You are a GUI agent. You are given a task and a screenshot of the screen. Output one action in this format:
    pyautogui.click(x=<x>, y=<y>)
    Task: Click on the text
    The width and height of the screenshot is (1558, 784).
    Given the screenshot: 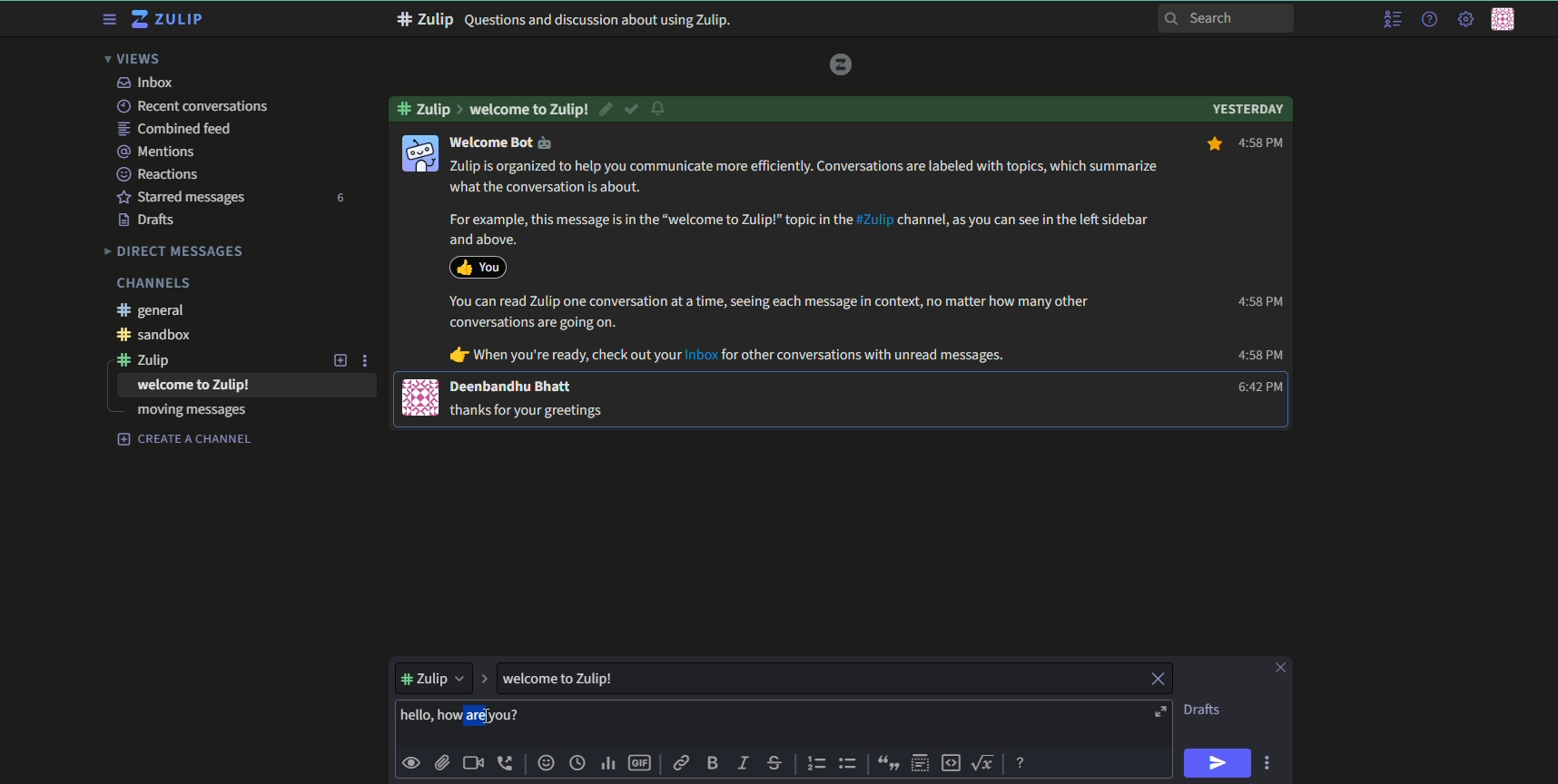 What is the action you would take?
    pyautogui.click(x=1204, y=710)
    